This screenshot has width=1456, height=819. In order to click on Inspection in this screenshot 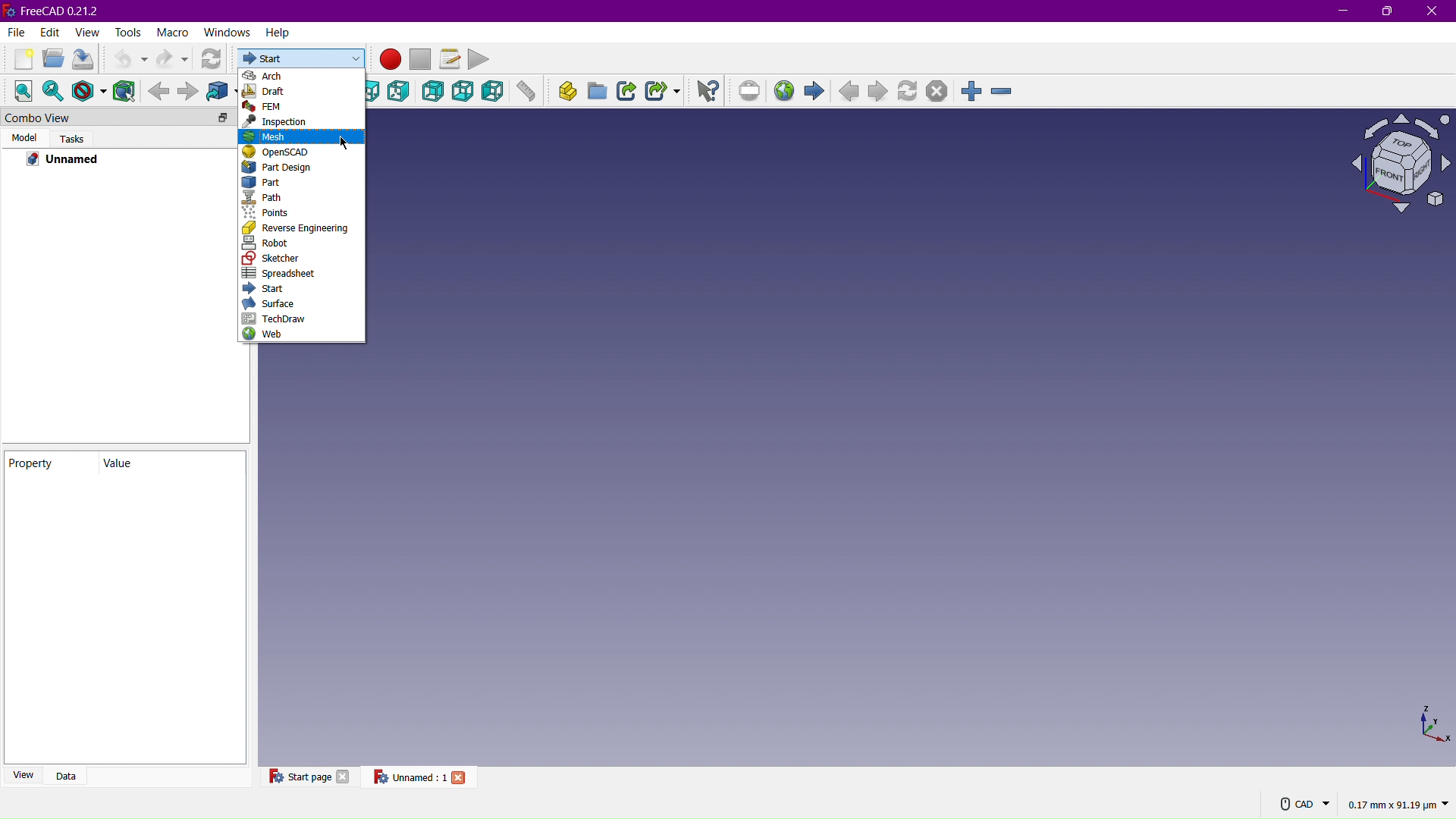, I will do `click(305, 123)`.